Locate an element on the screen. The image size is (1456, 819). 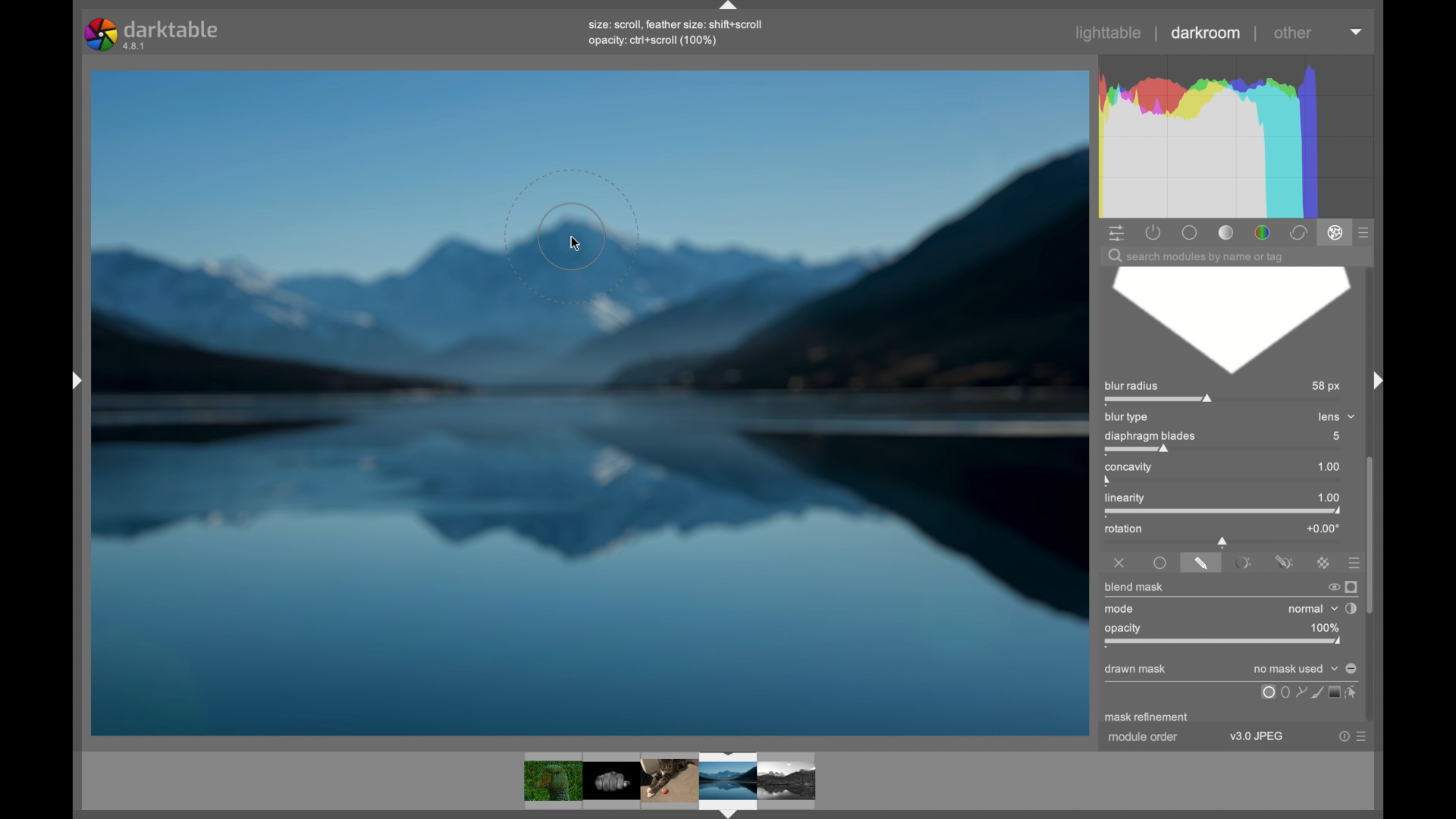
darktable is located at coordinates (151, 33).